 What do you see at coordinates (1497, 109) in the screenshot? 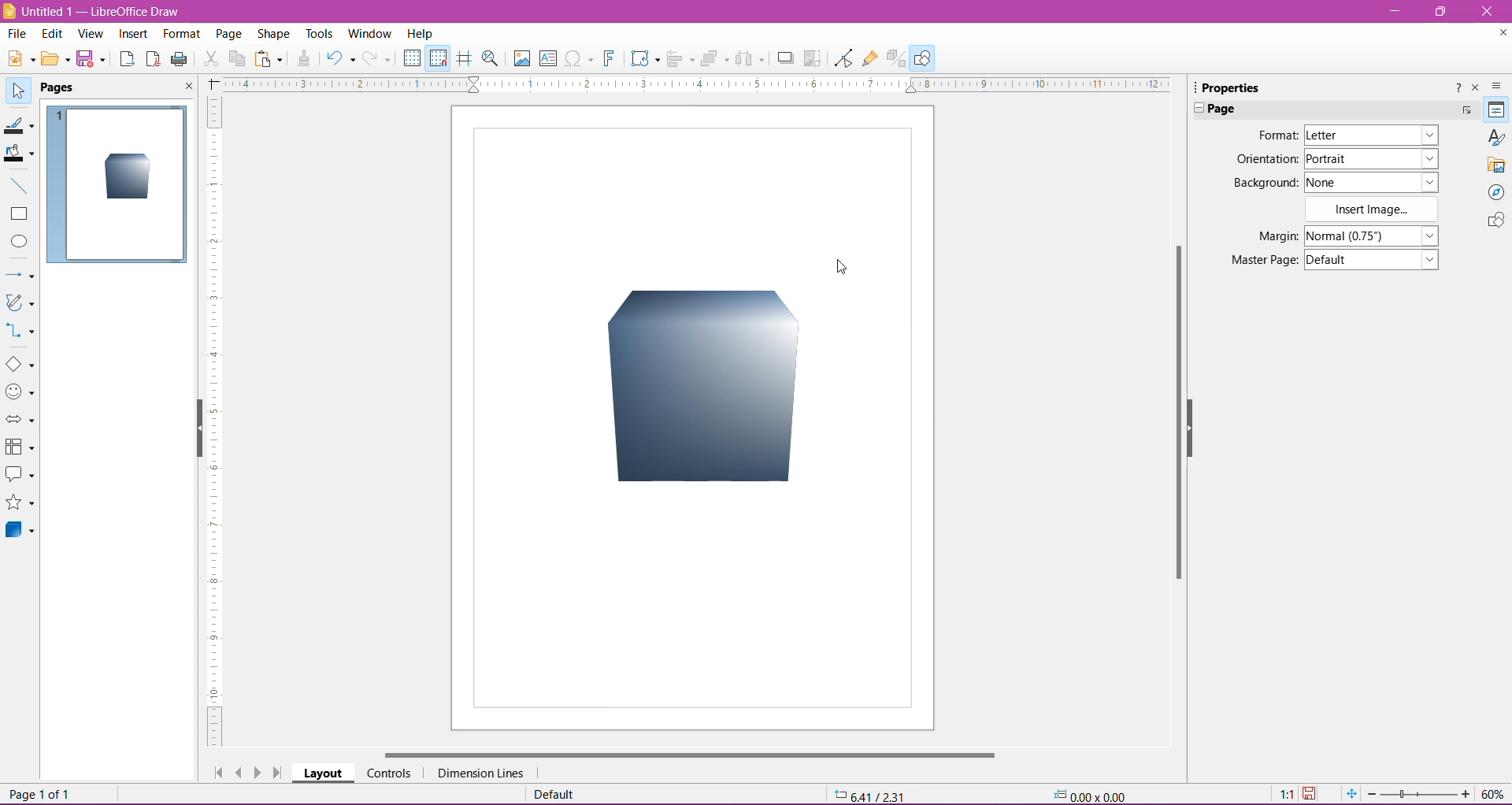
I see `Properties` at bounding box center [1497, 109].